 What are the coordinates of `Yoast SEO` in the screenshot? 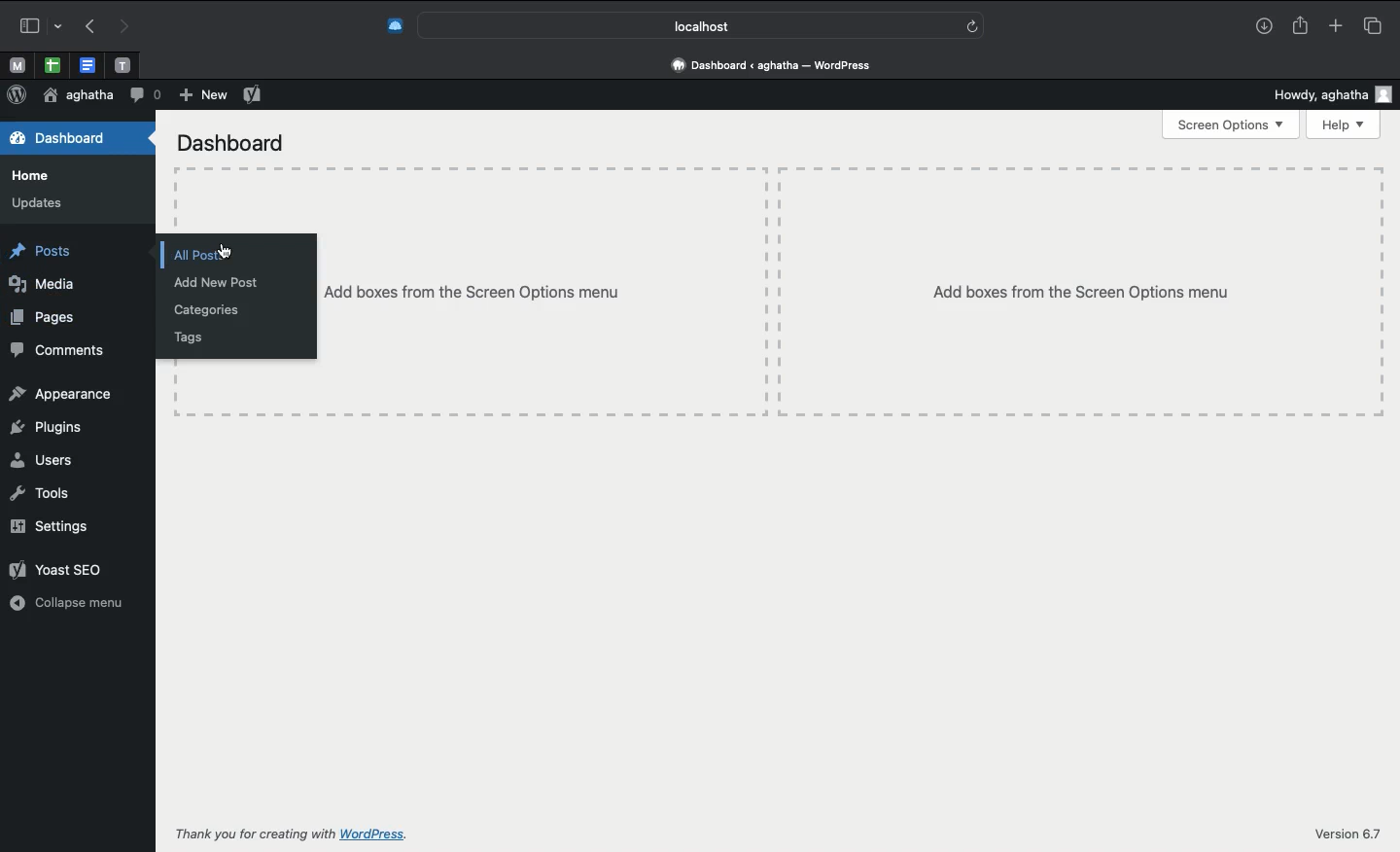 It's located at (52, 567).